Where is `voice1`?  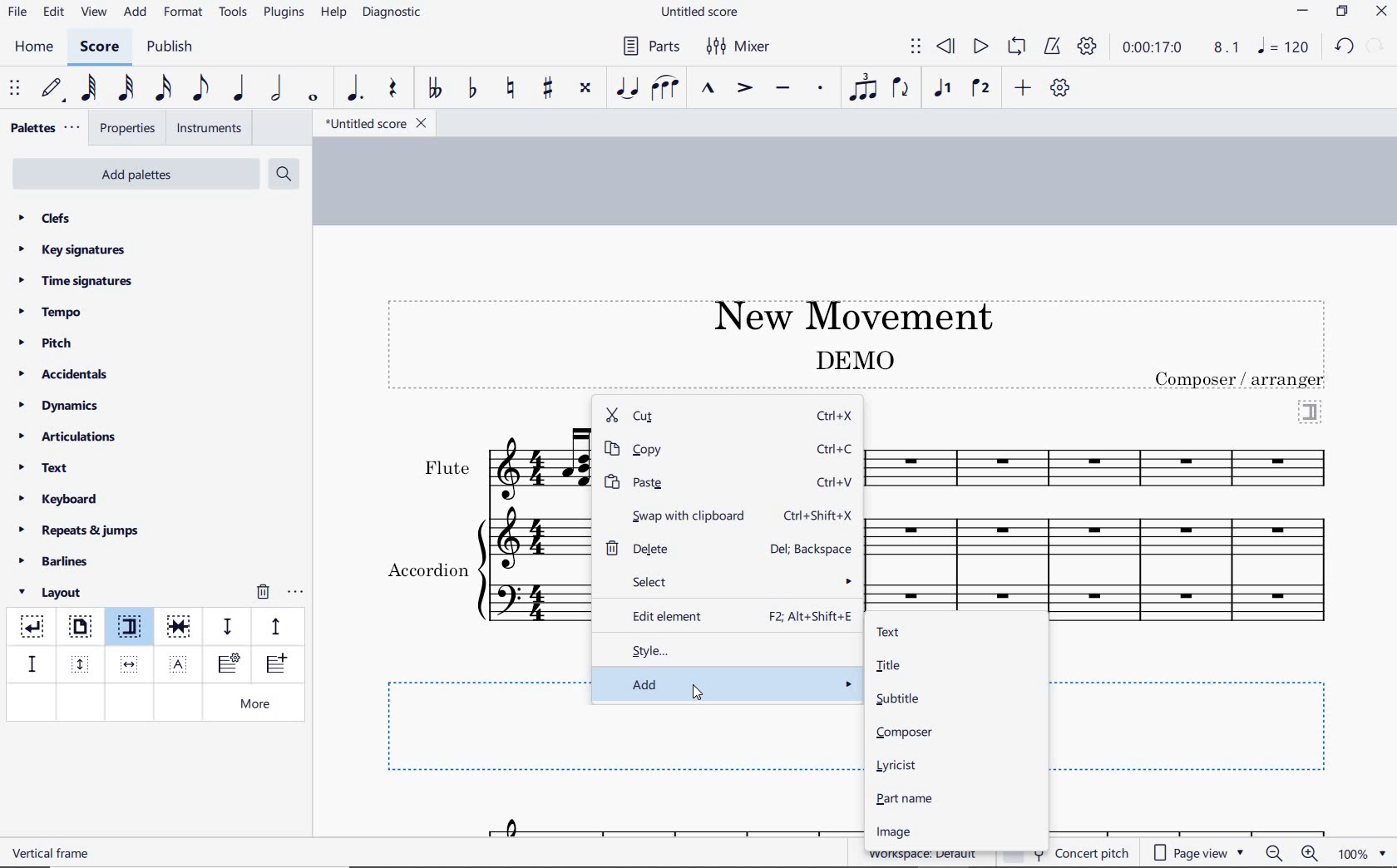
voice1 is located at coordinates (945, 89).